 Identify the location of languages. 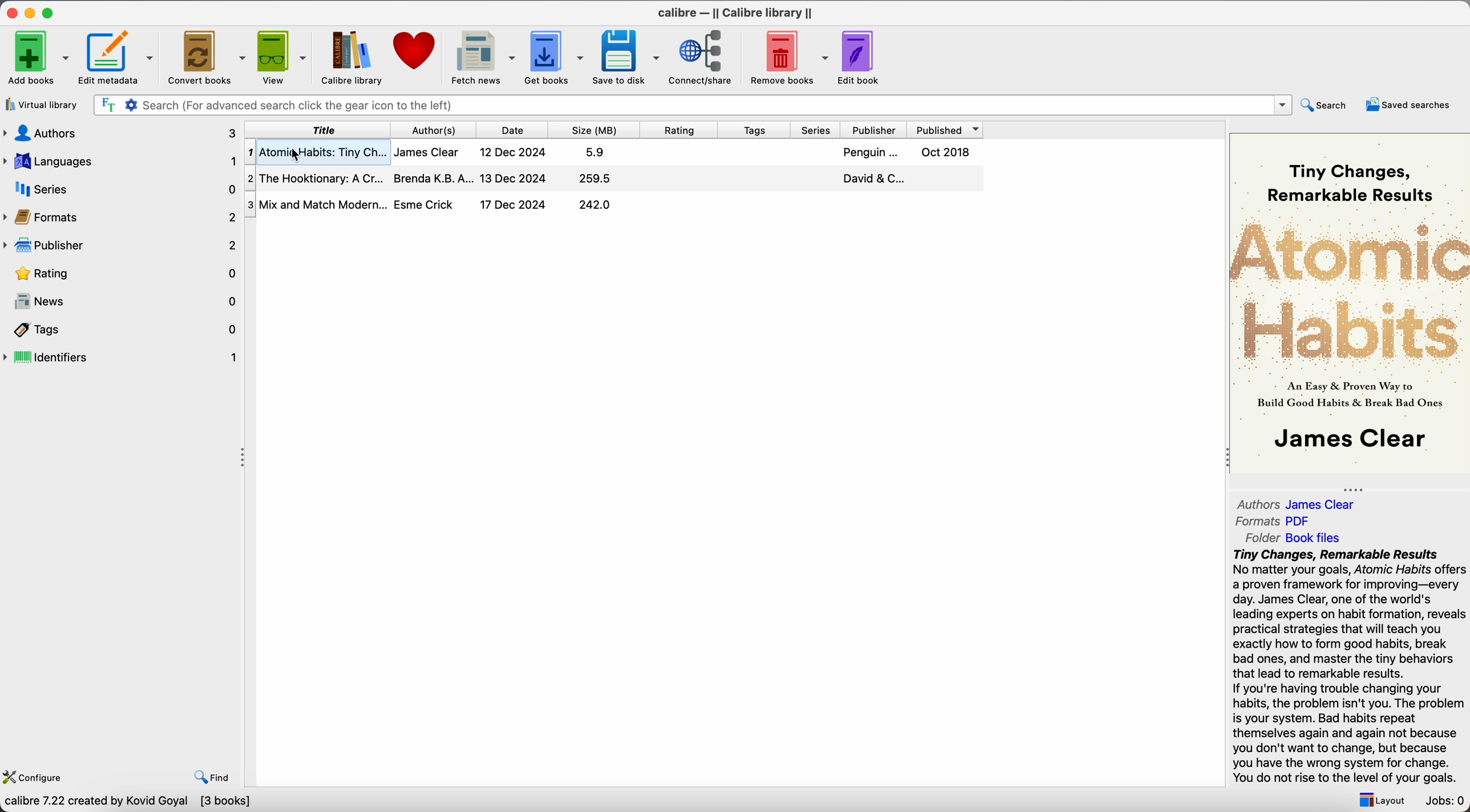
(120, 160).